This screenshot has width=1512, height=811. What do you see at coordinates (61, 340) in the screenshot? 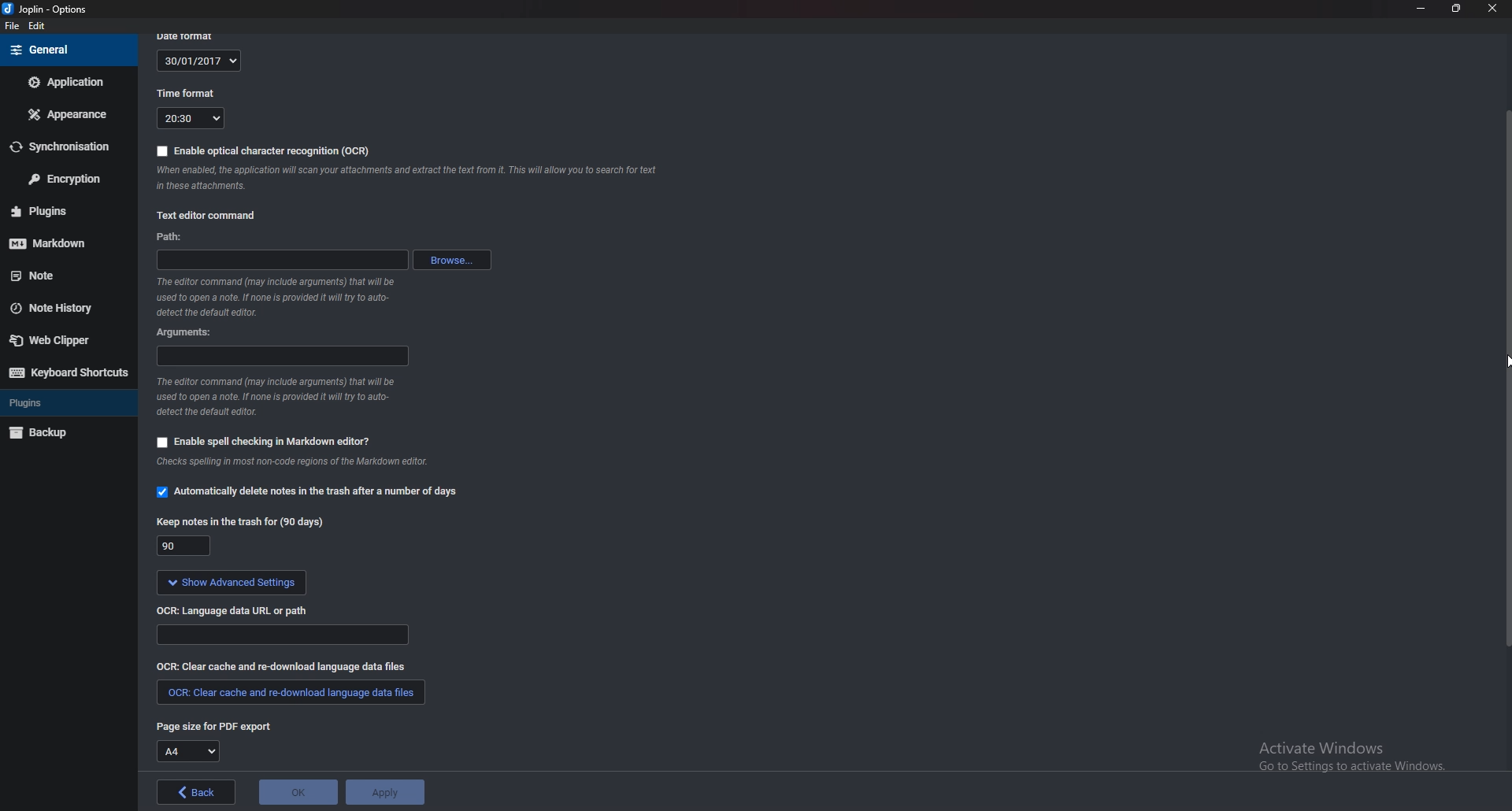
I see `Web clipper` at bounding box center [61, 340].